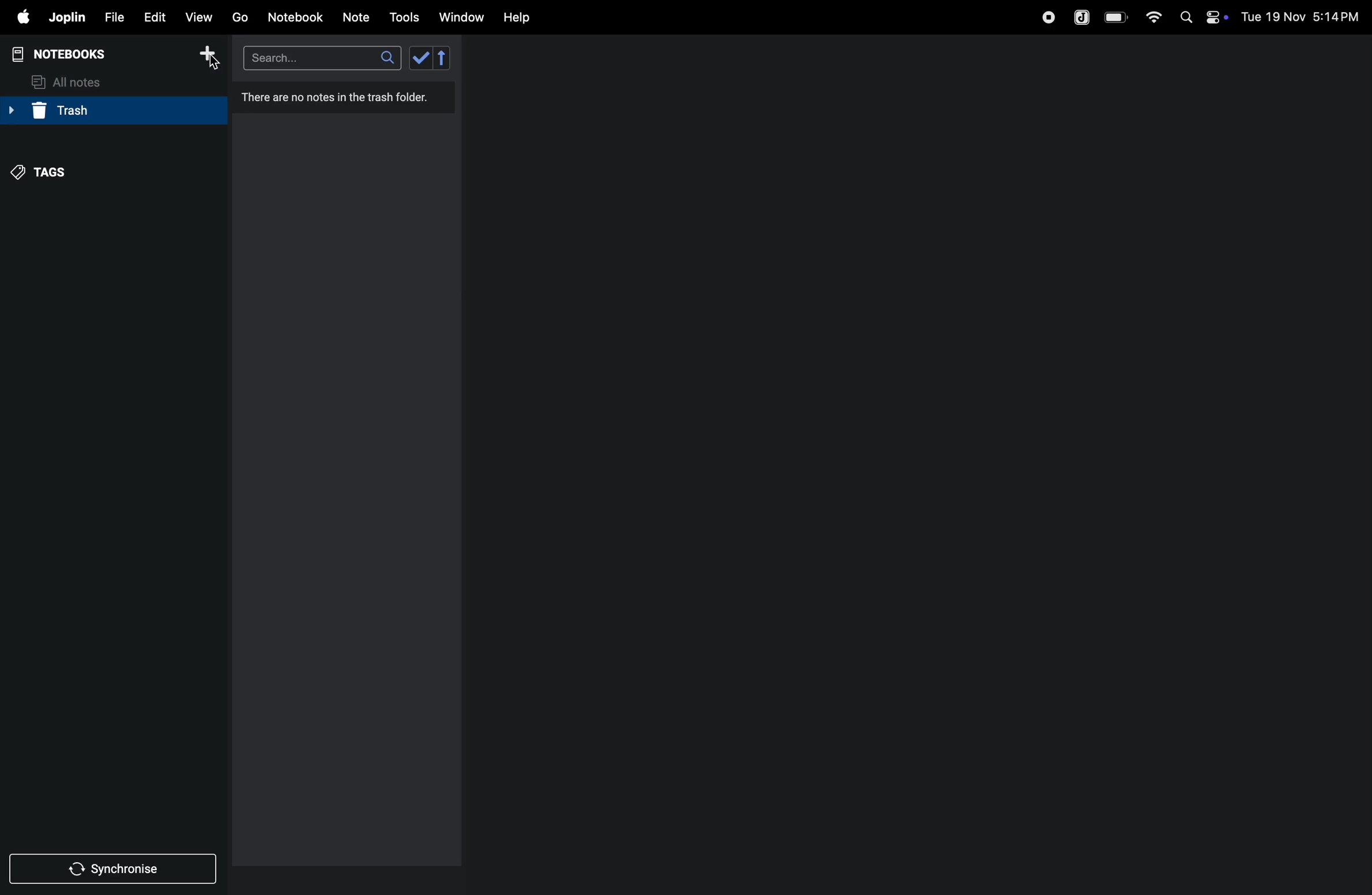 This screenshot has height=895, width=1372. I want to click on view, so click(198, 14).